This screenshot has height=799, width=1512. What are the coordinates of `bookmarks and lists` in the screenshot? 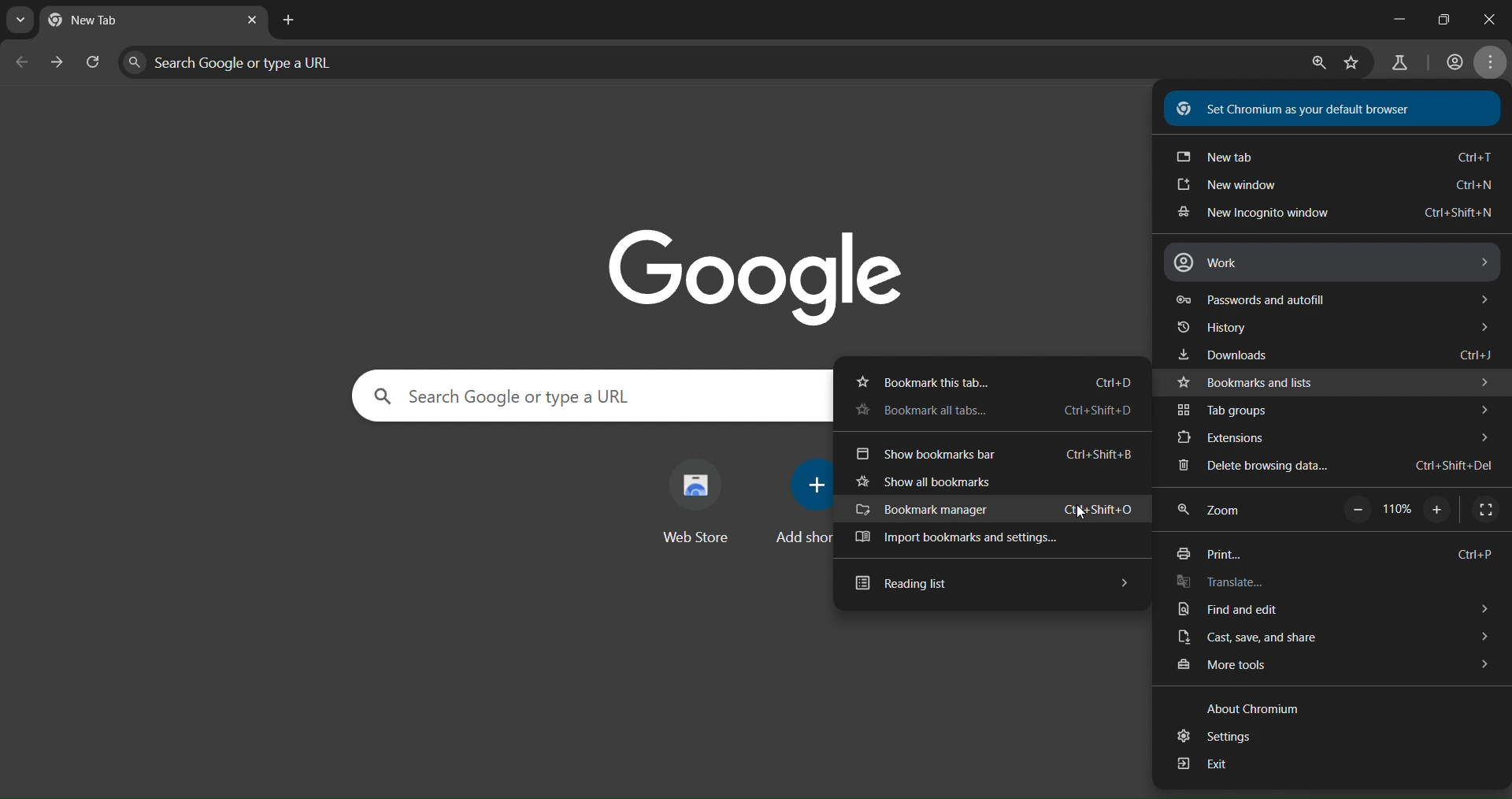 It's located at (1336, 382).